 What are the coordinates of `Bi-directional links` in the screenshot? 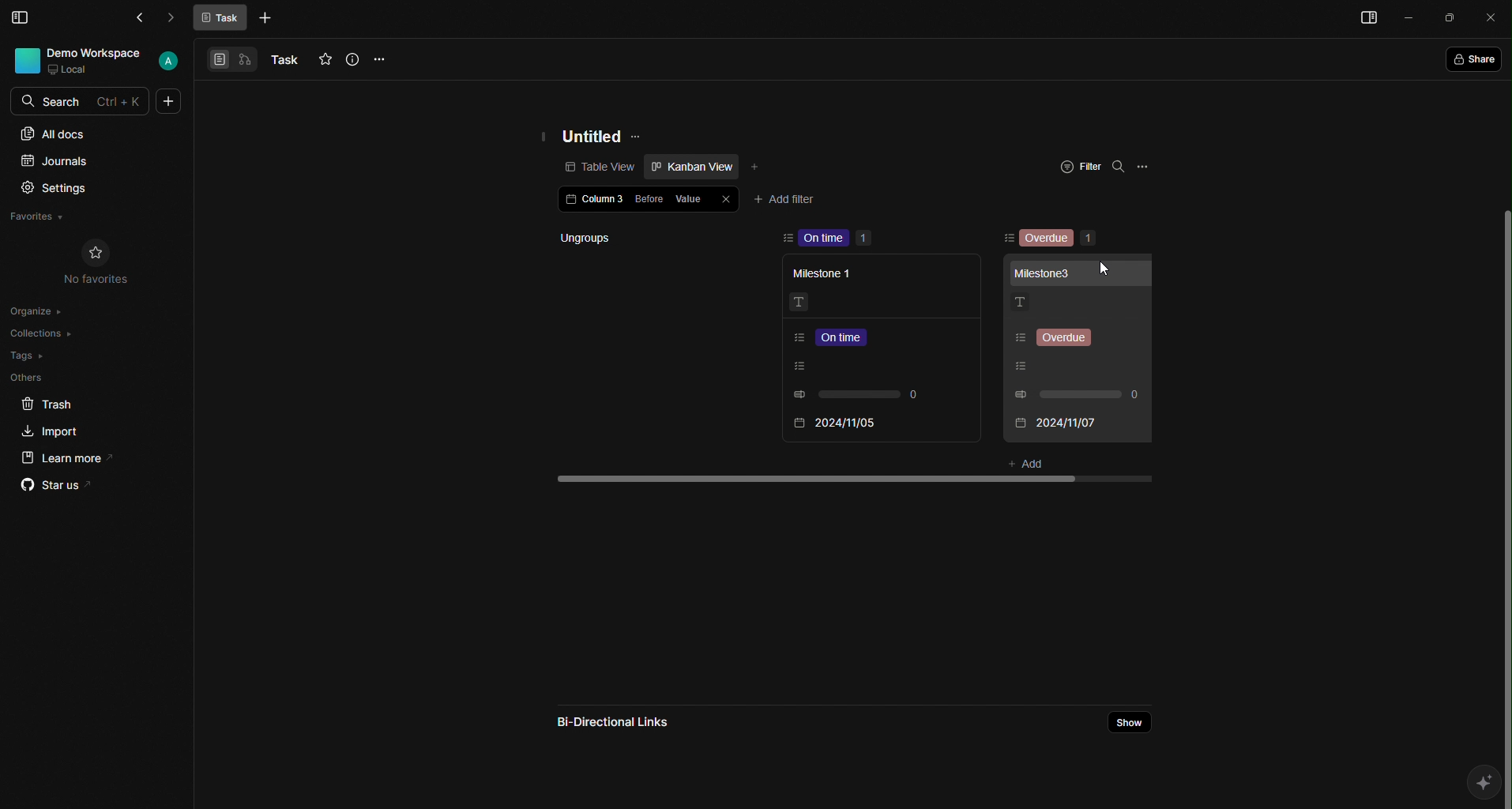 It's located at (615, 718).